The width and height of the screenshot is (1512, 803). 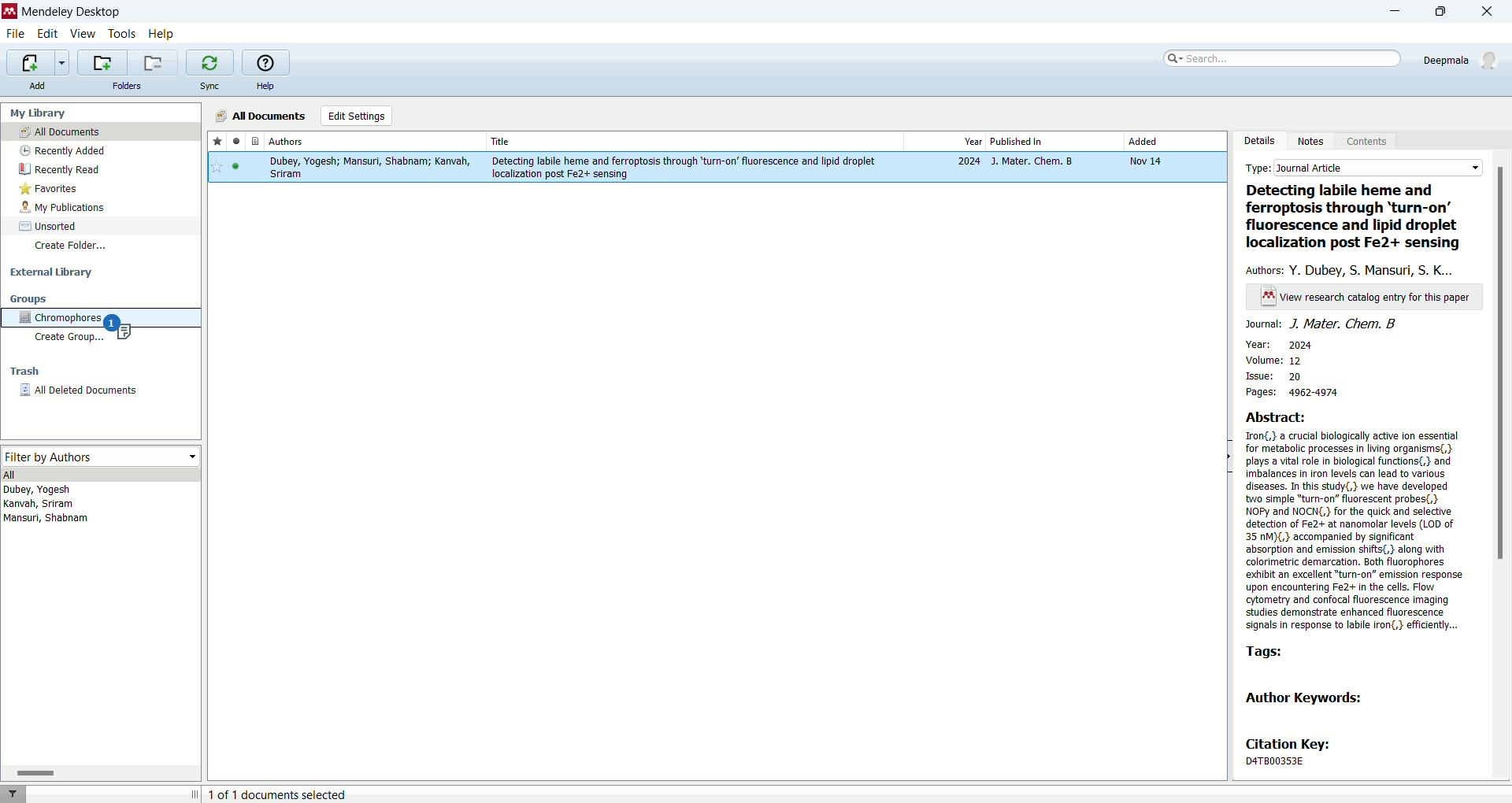 I want to click on external library, so click(x=54, y=273).